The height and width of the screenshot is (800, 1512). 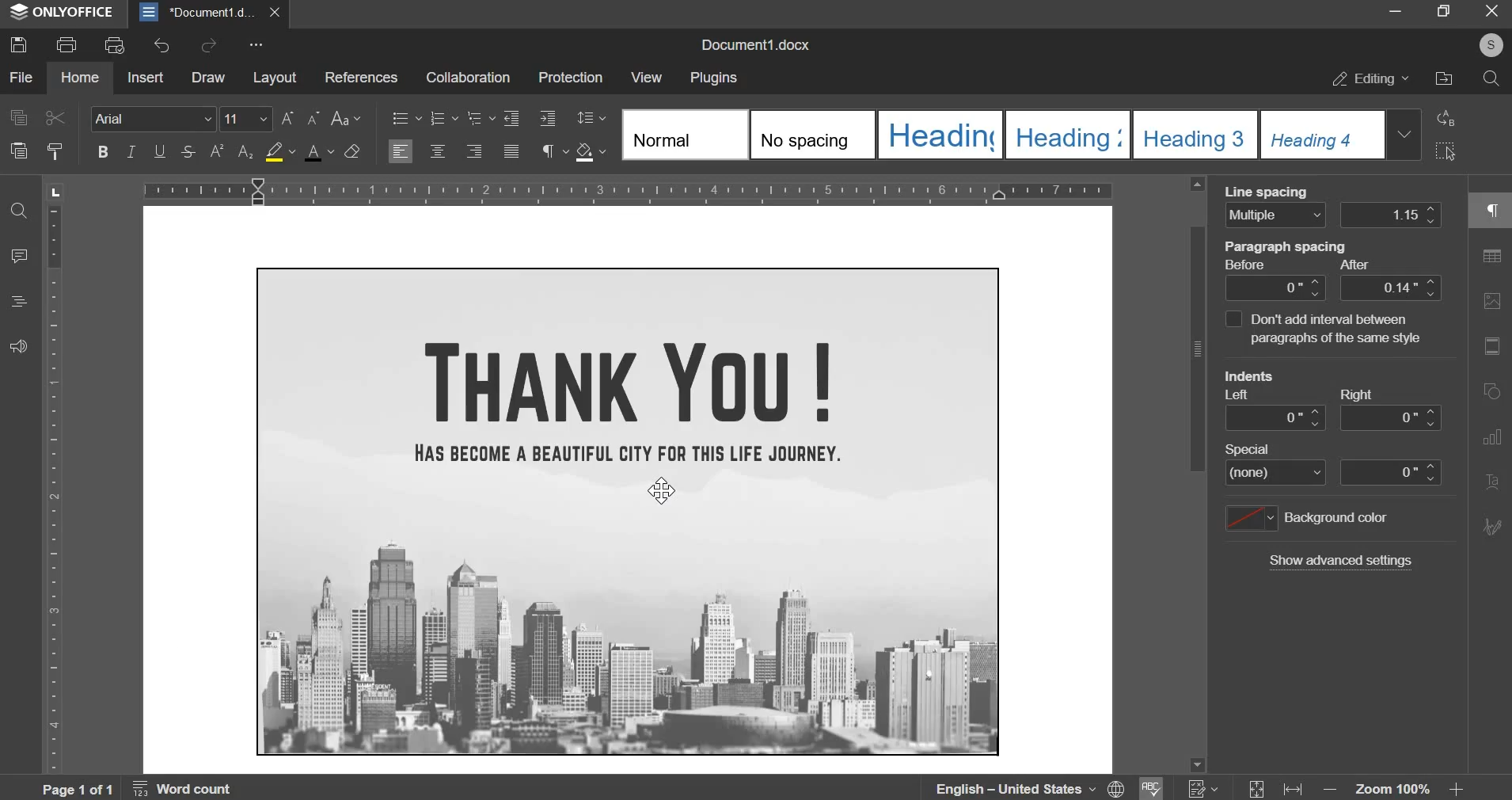 What do you see at coordinates (360, 77) in the screenshot?
I see `references` at bounding box center [360, 77].